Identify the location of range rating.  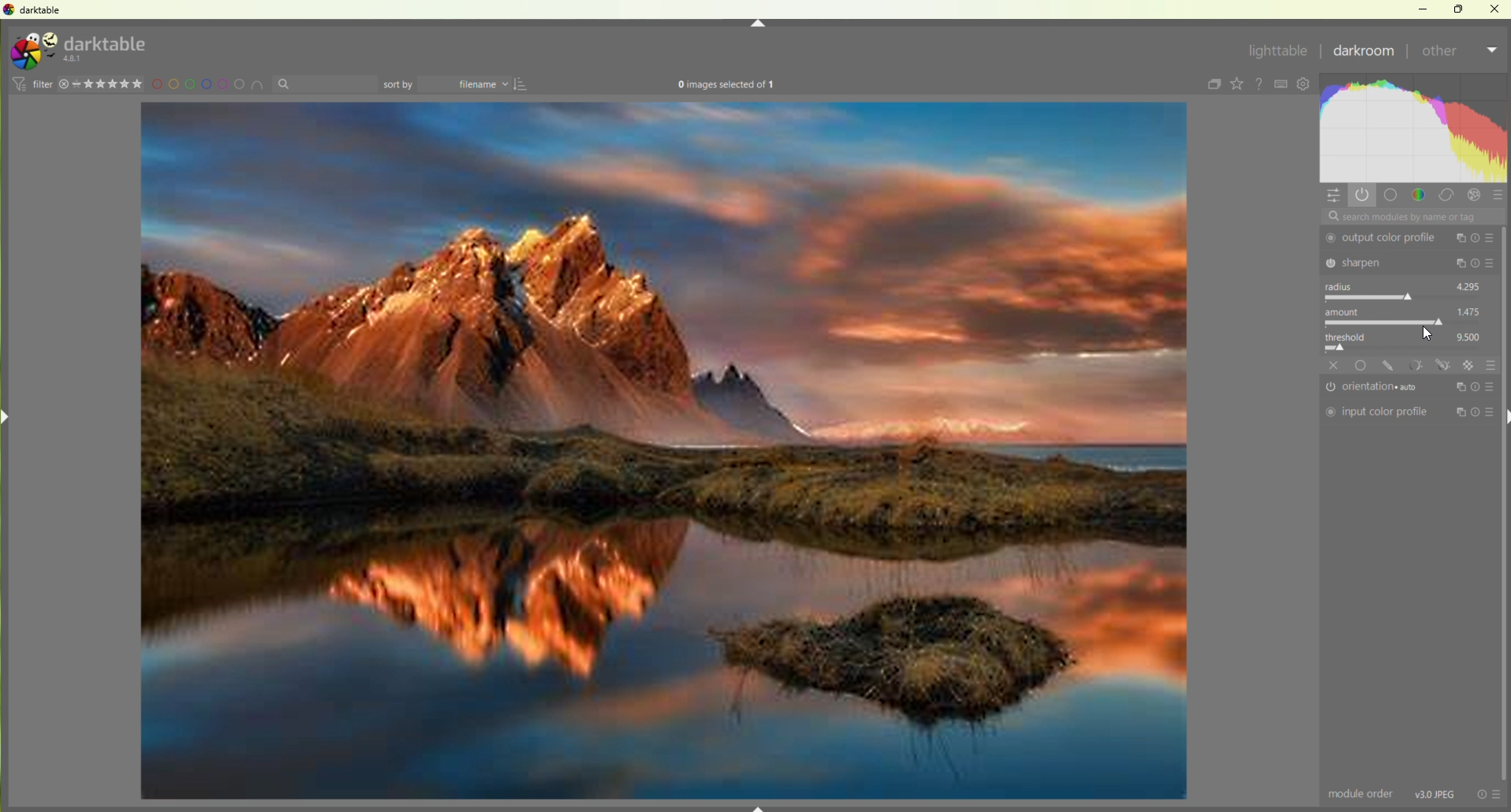
(111, 84).